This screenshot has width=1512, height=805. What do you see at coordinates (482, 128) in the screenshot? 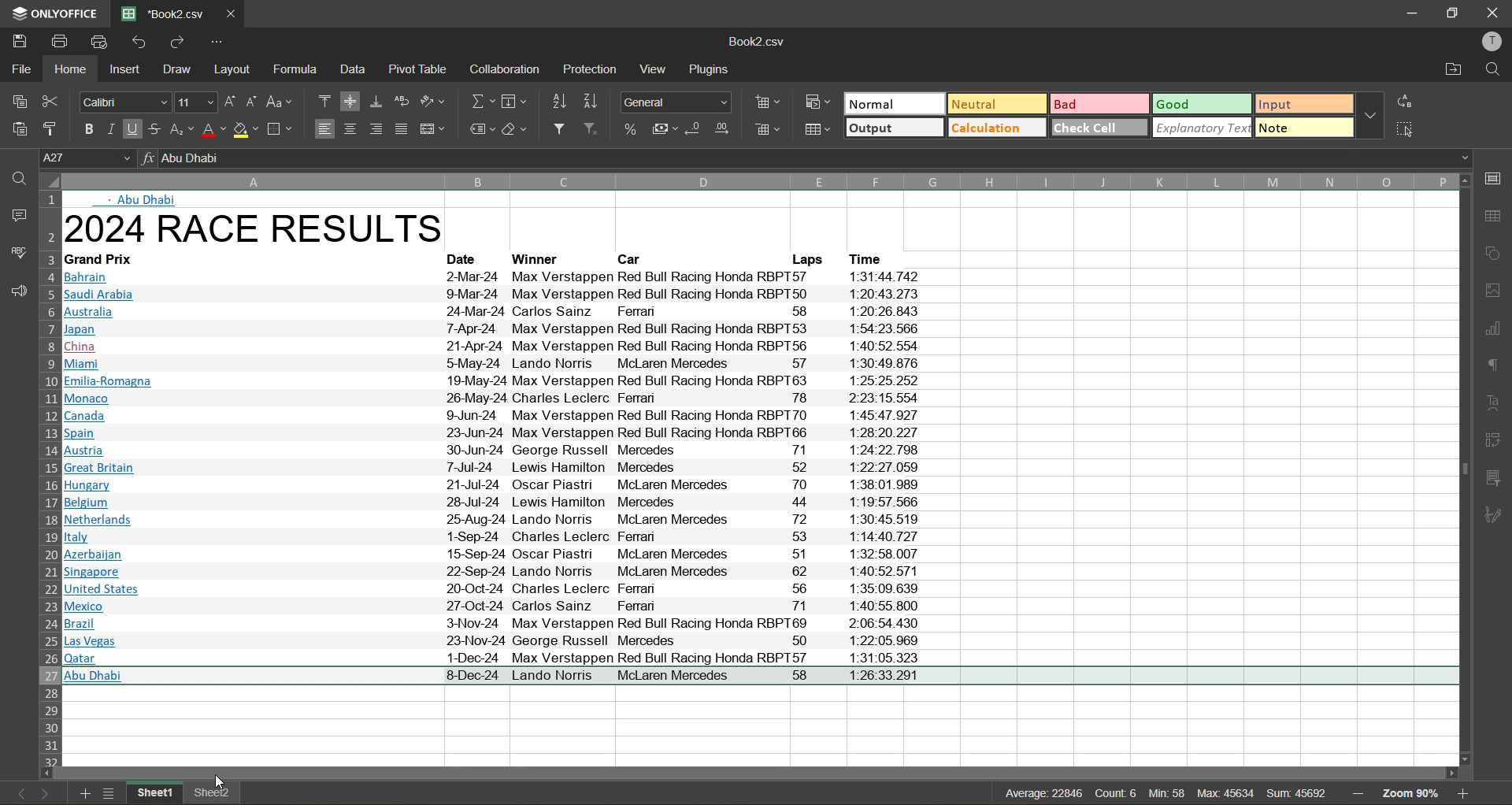
I see `named ranges` at bounding box center [482, 128].